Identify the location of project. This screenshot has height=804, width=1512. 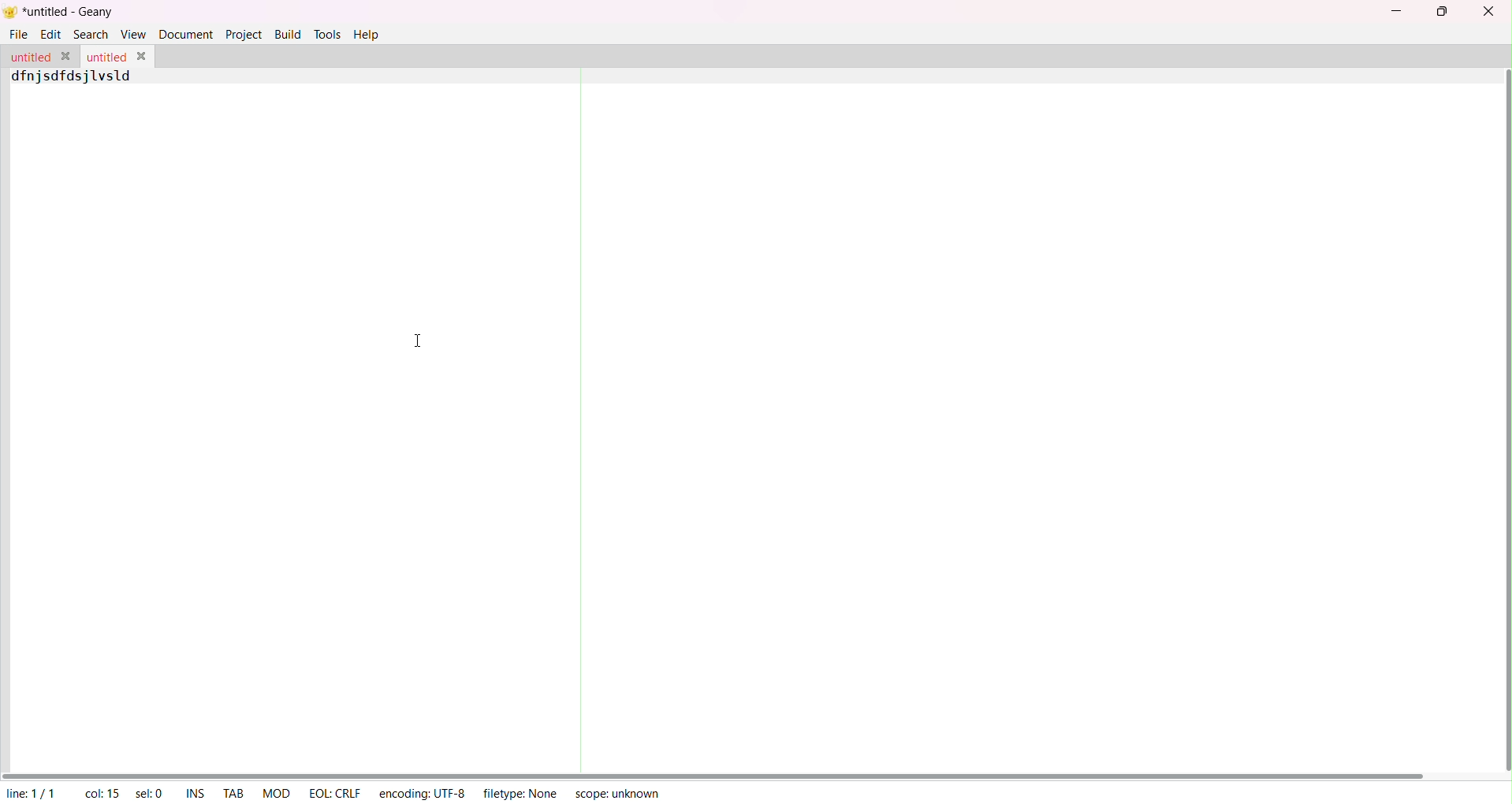
(244, 35).